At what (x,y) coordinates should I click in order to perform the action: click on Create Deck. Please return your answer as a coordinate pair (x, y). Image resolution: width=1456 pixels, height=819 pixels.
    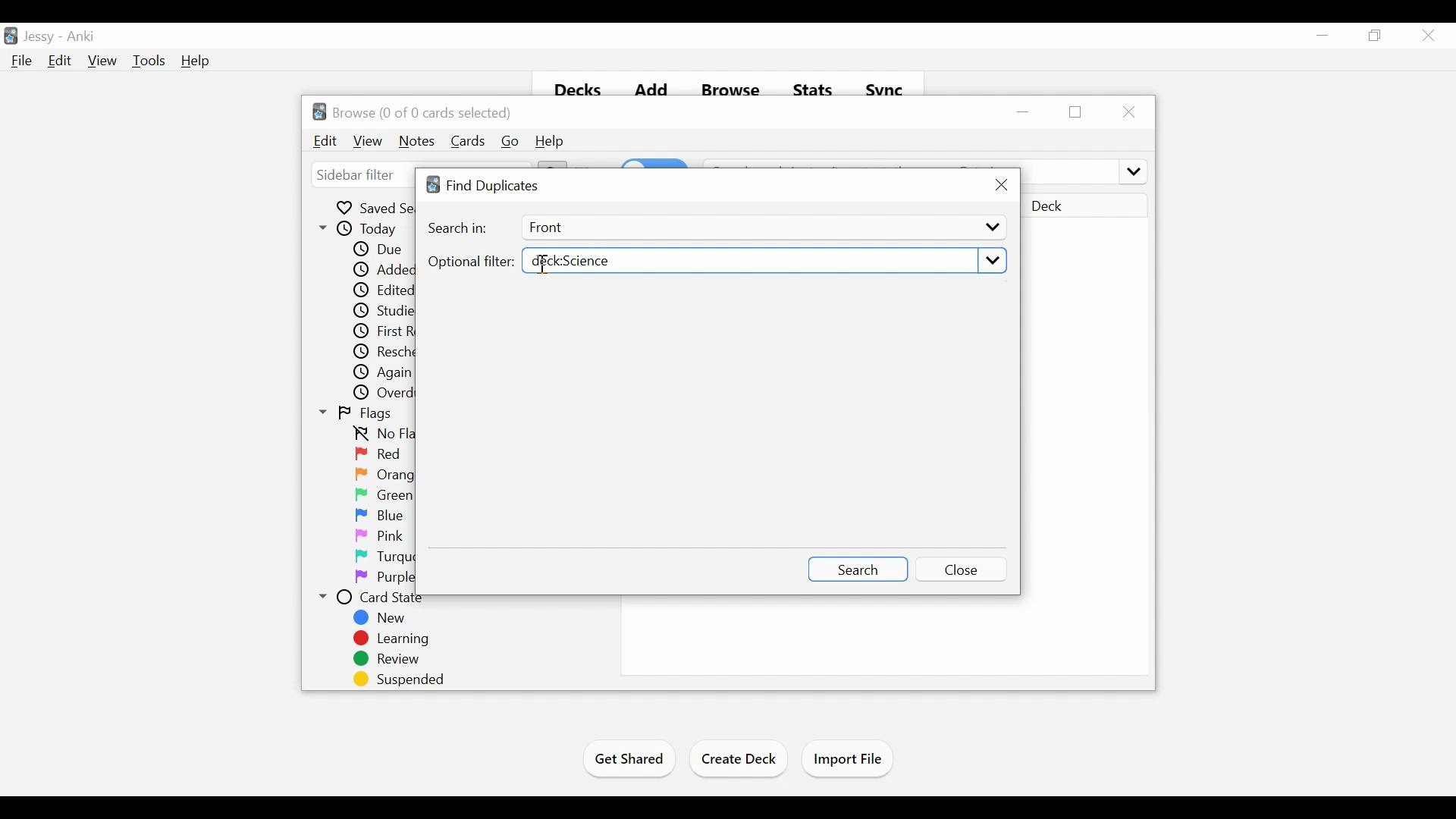
    Looking at the image, I should click on (739, 761).